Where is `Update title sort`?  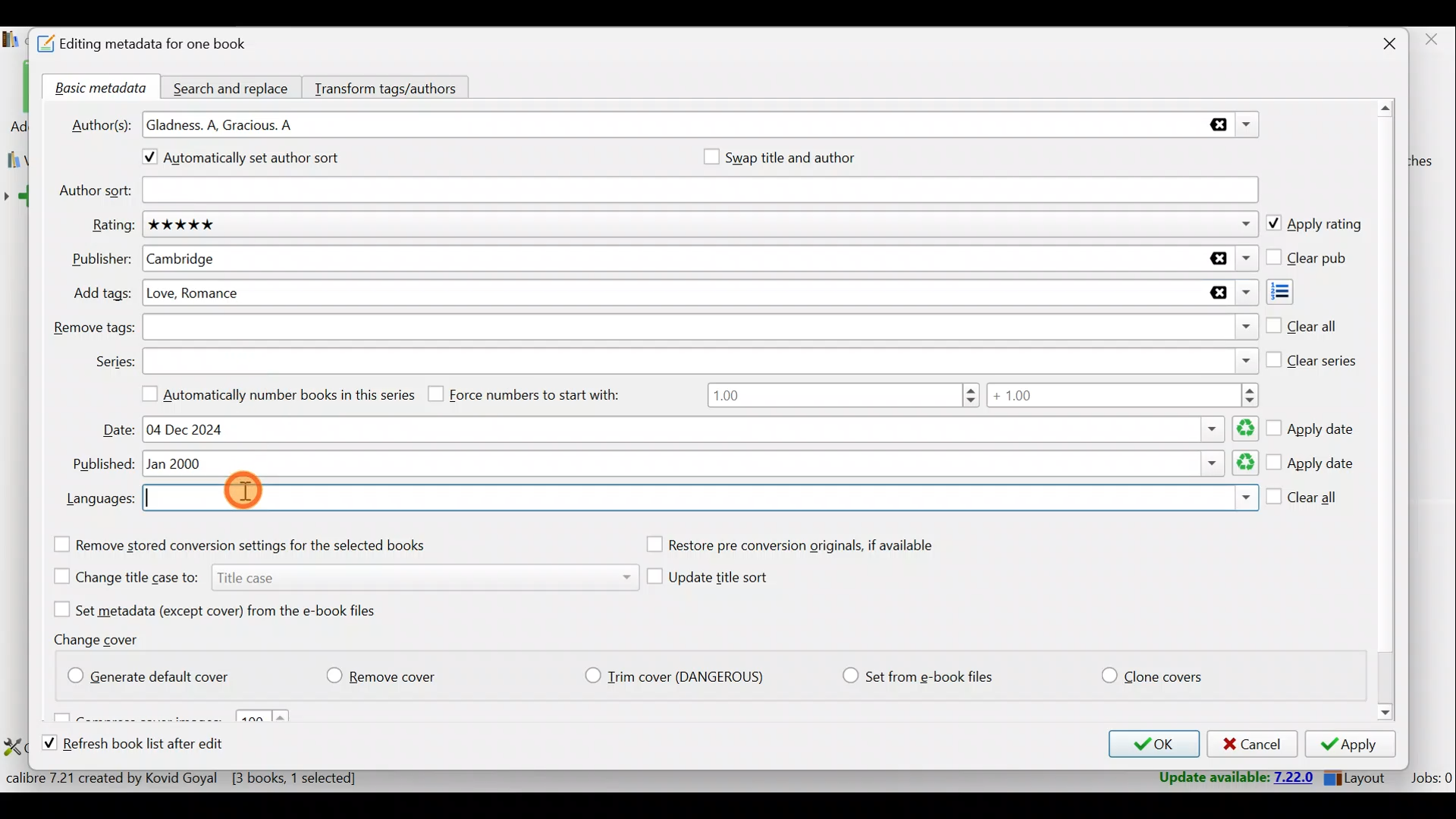 Update title sort is located at coordinates (722, 580).